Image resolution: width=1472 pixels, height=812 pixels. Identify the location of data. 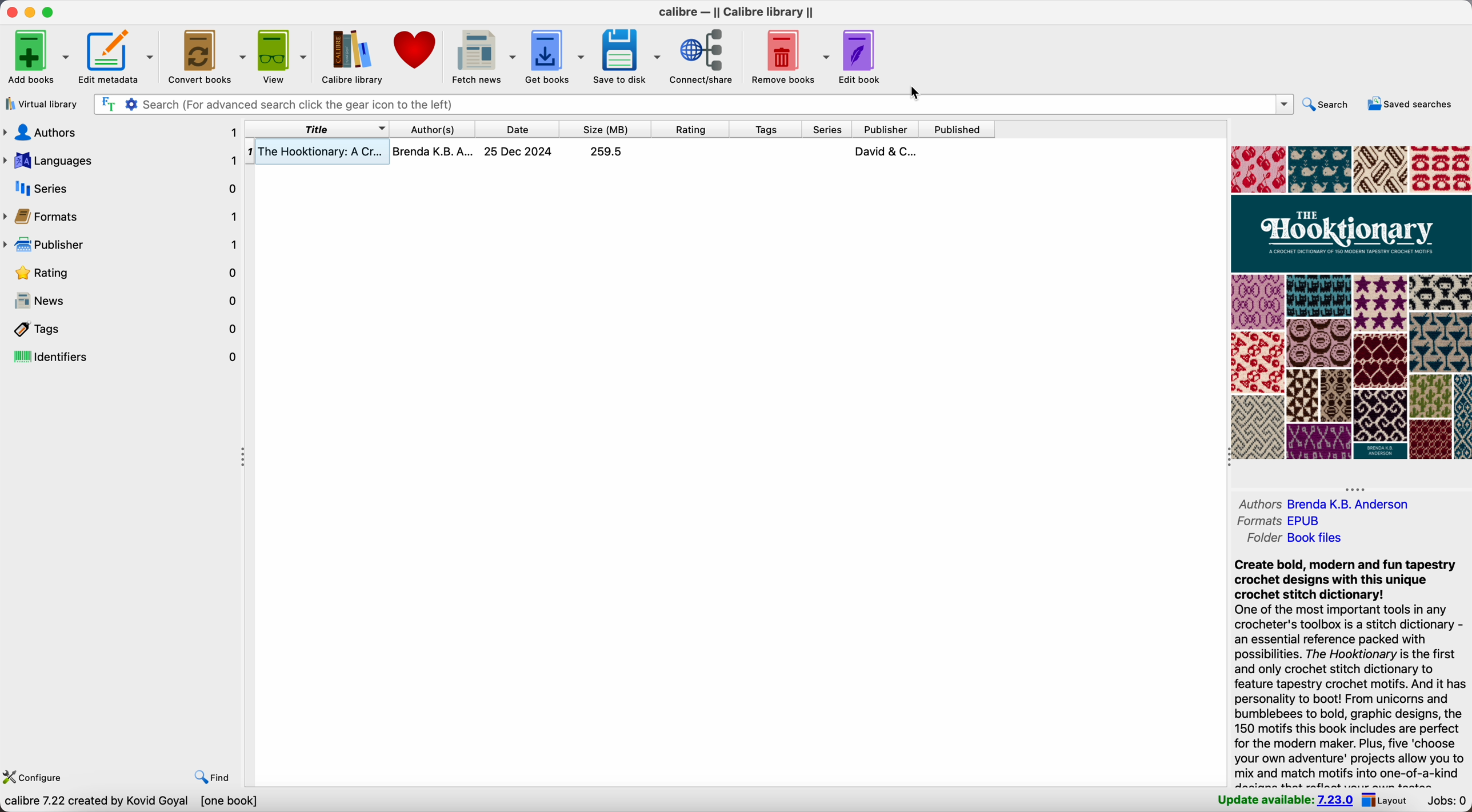
(134, 803).